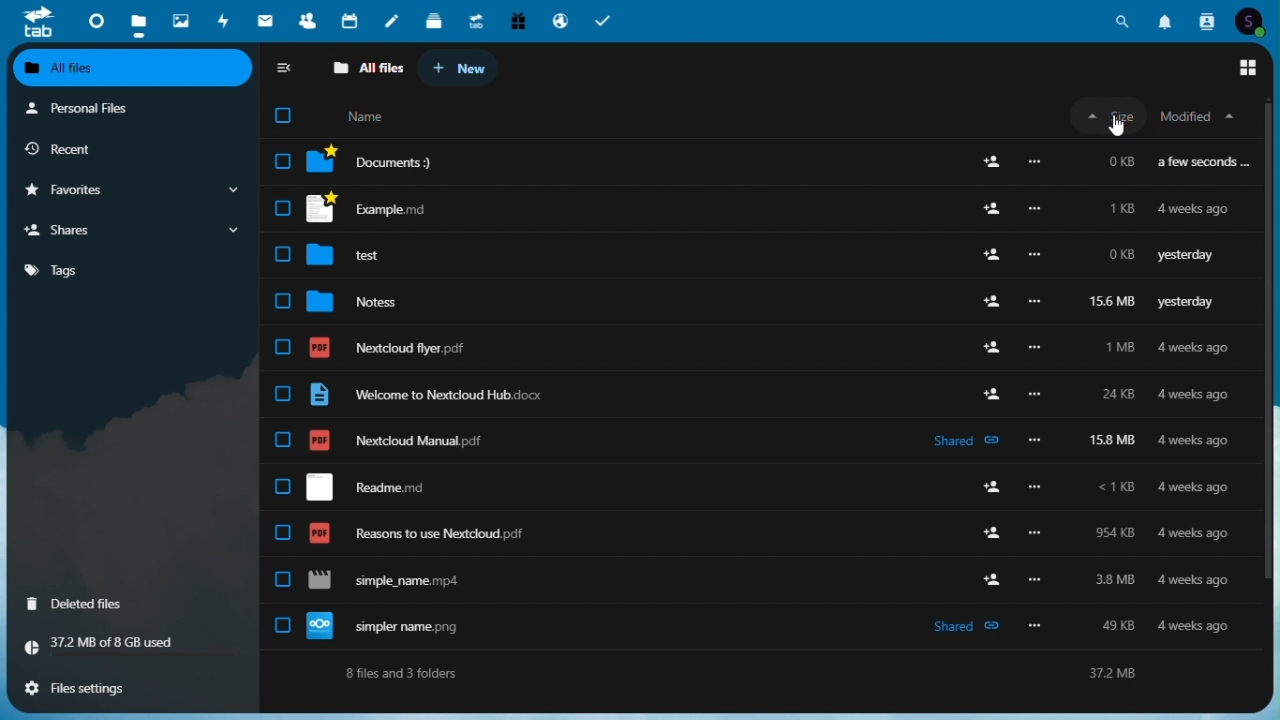  I want to click on switch to grid new, so click(1250, 68).